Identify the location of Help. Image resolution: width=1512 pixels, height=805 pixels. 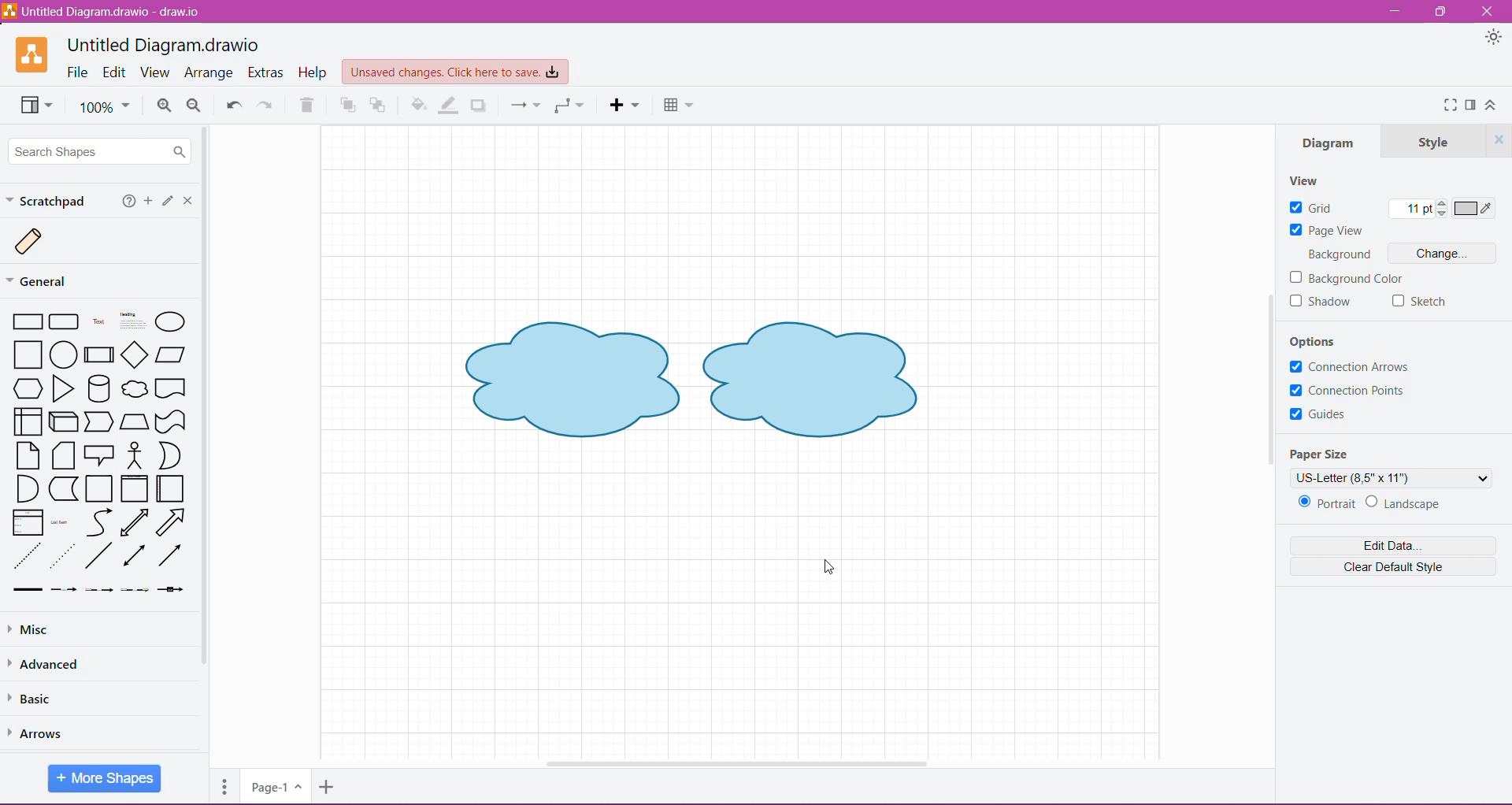
(314, 73).